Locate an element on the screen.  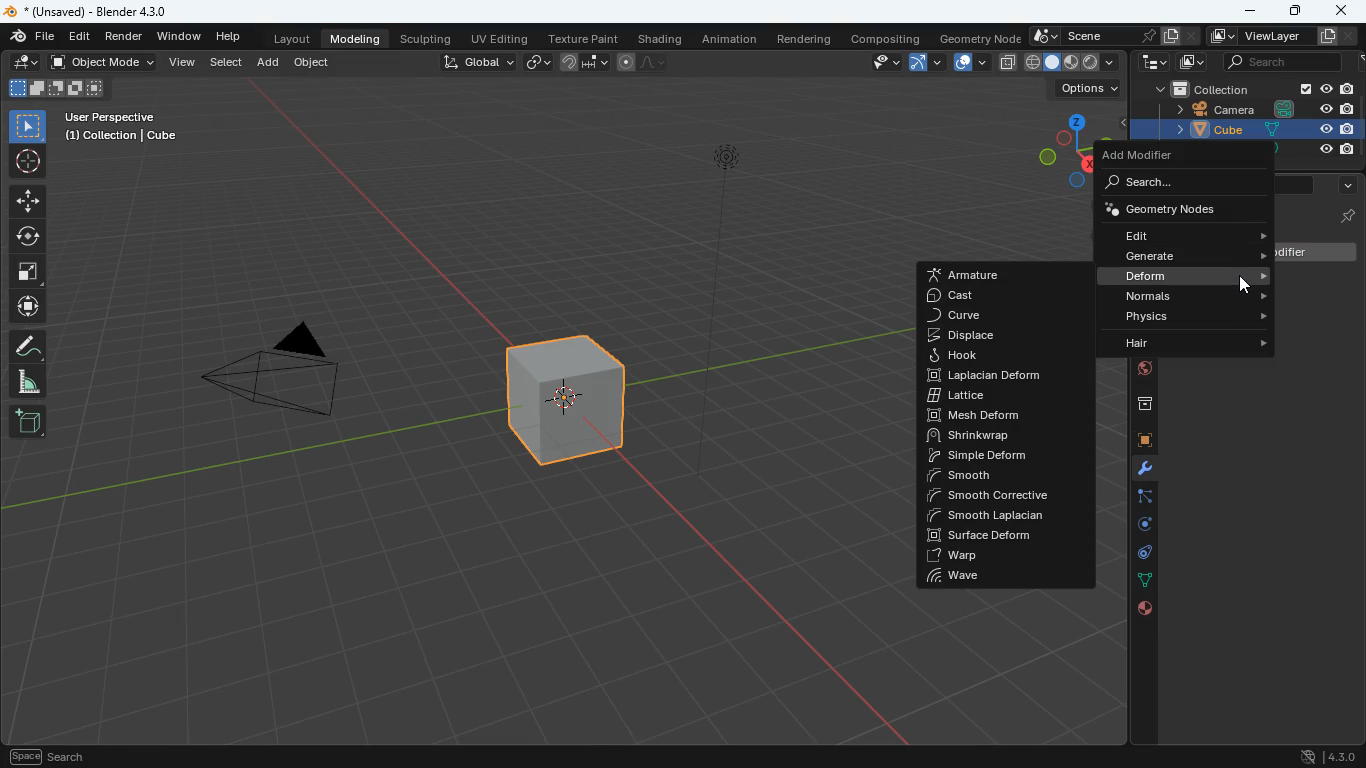
archive is located at coordinates (1135, 408).